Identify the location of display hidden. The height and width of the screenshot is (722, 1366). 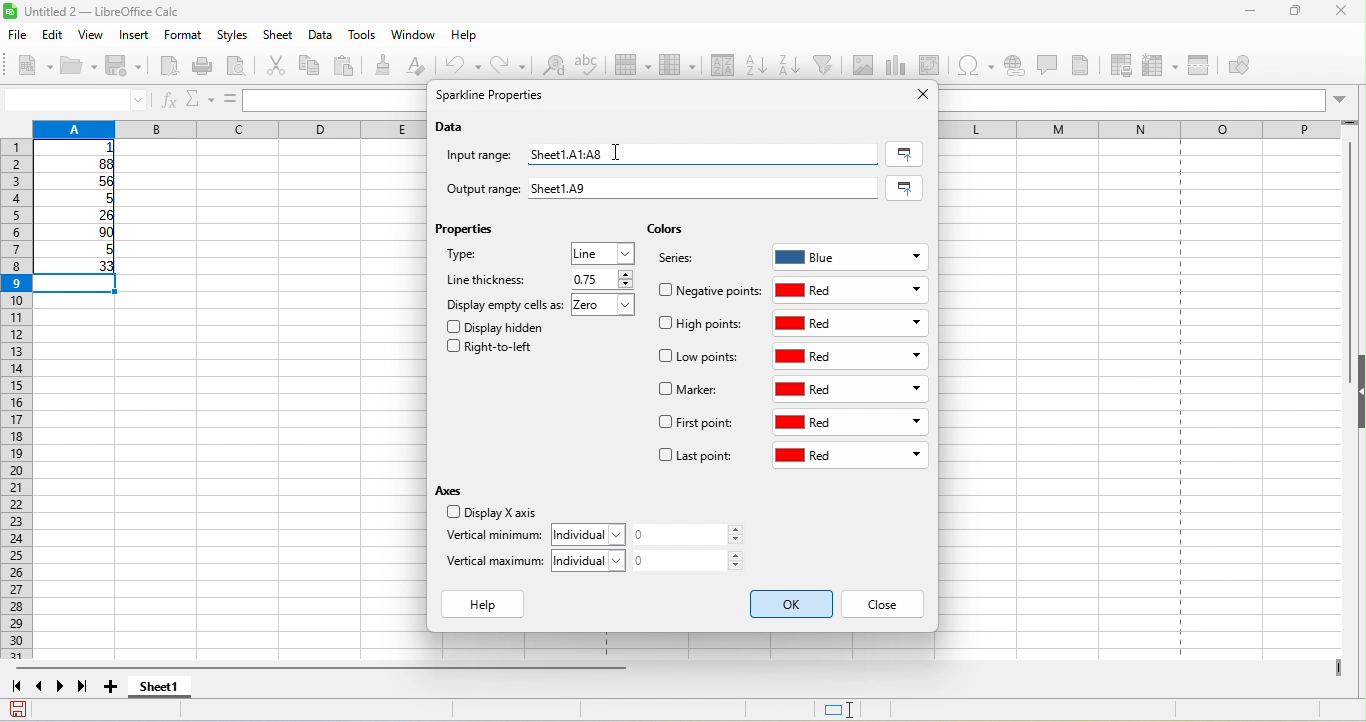
(500, 326).